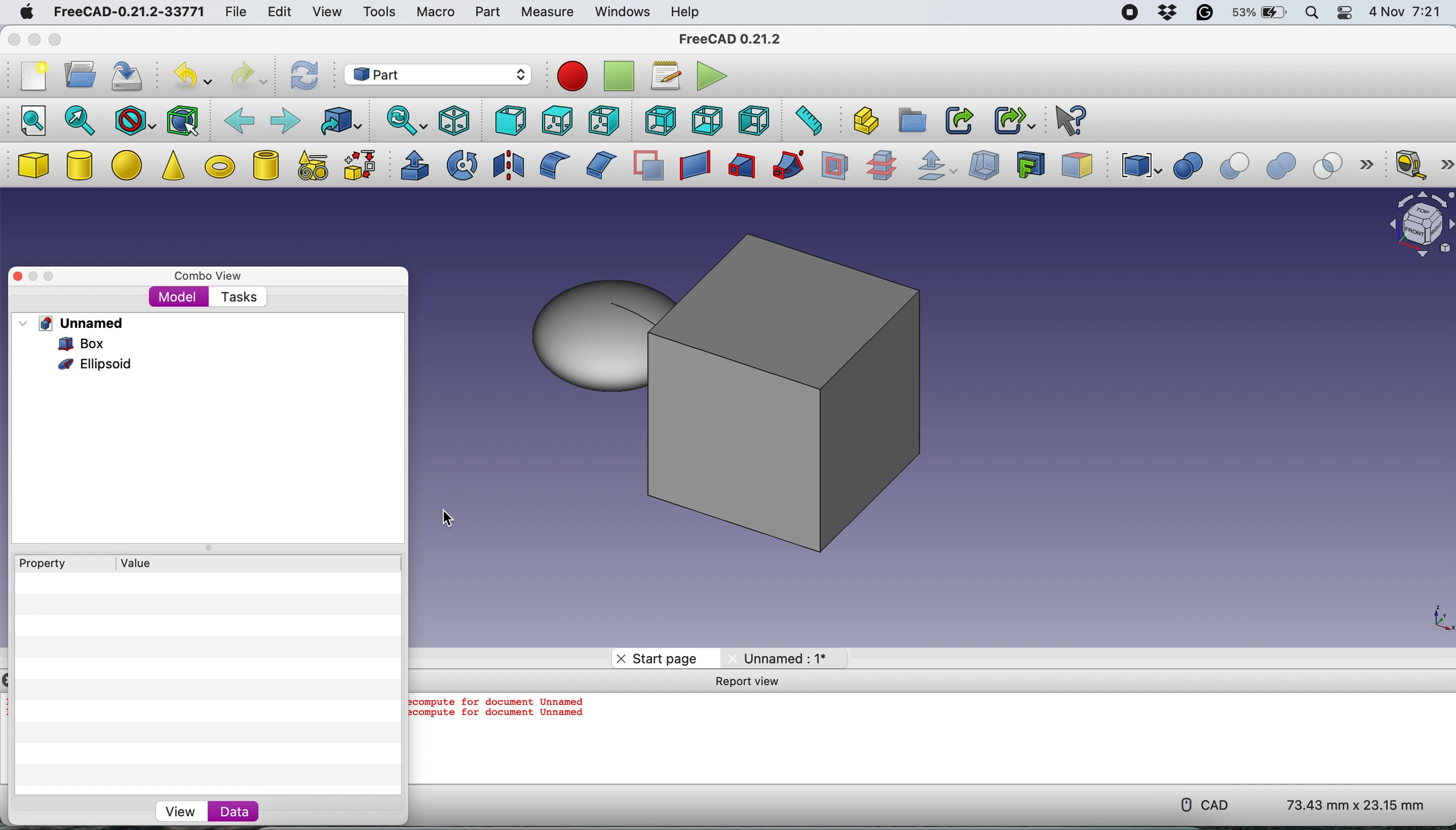 This screenshot has height=830, width=1456. Describe the element at coordinates (708, 121) in the screenshot. I see `bottom` at that location.